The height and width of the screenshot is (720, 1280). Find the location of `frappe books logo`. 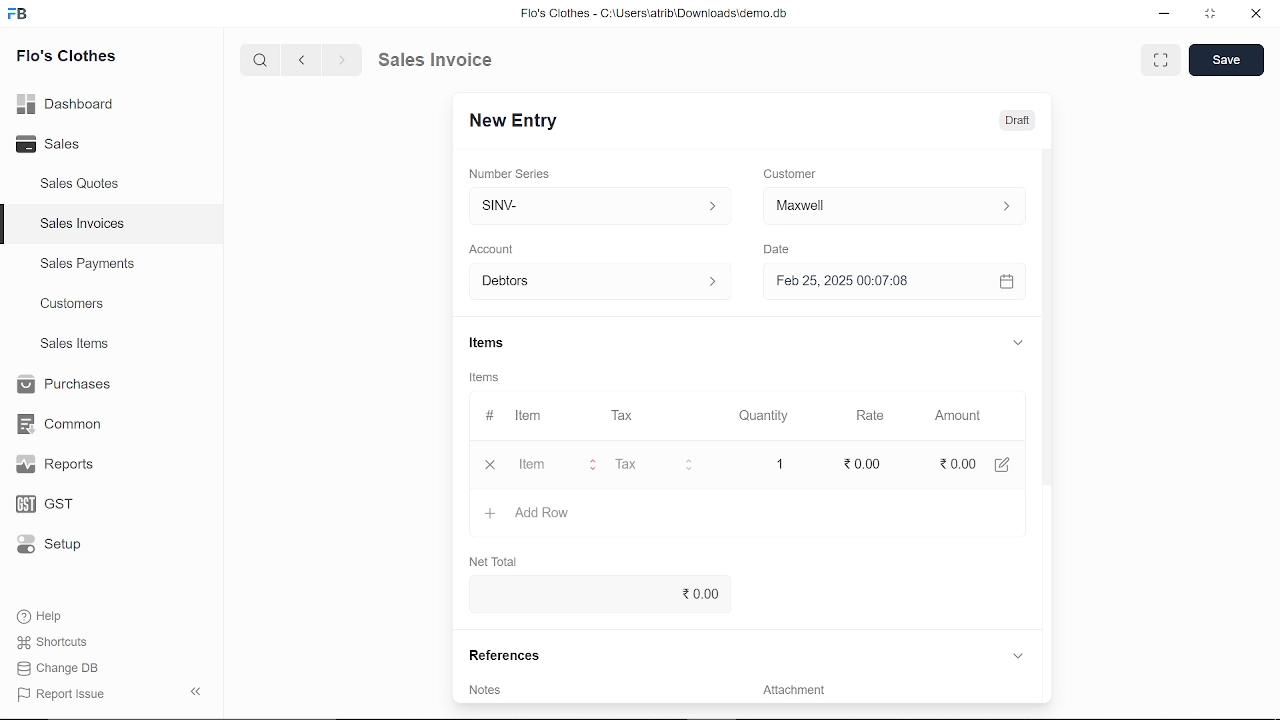

frappe books logo is located at coordinates (20, 17).